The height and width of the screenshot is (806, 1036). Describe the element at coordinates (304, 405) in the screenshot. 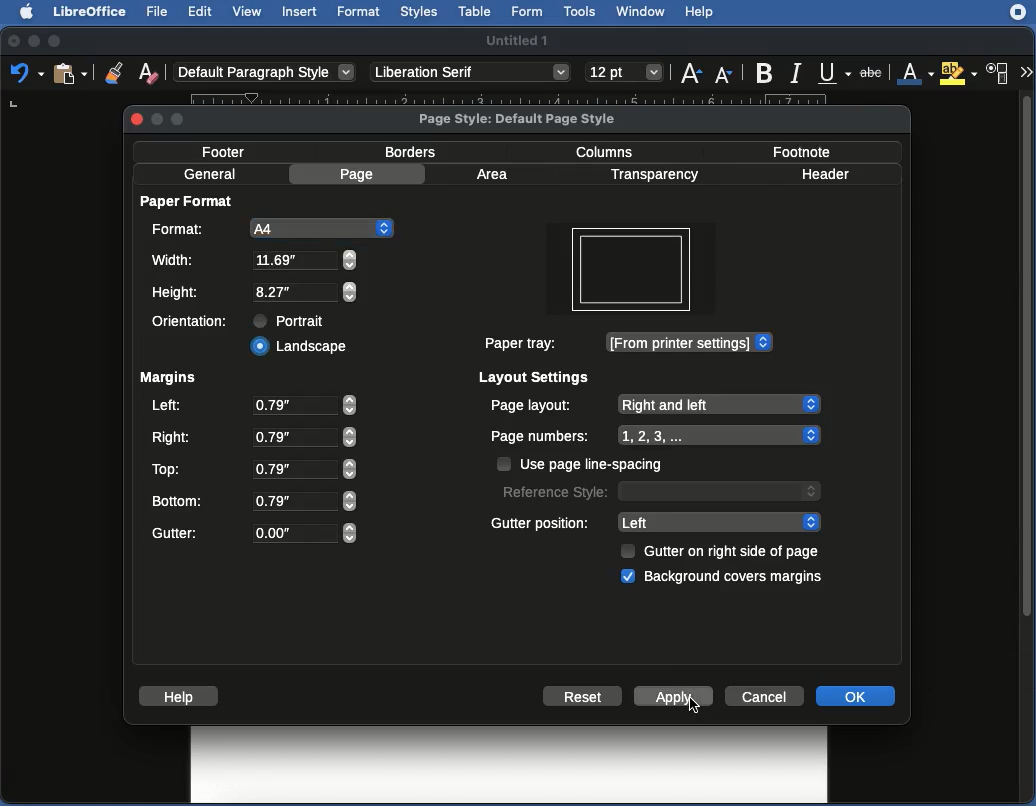

I see `0.79"` at that location.